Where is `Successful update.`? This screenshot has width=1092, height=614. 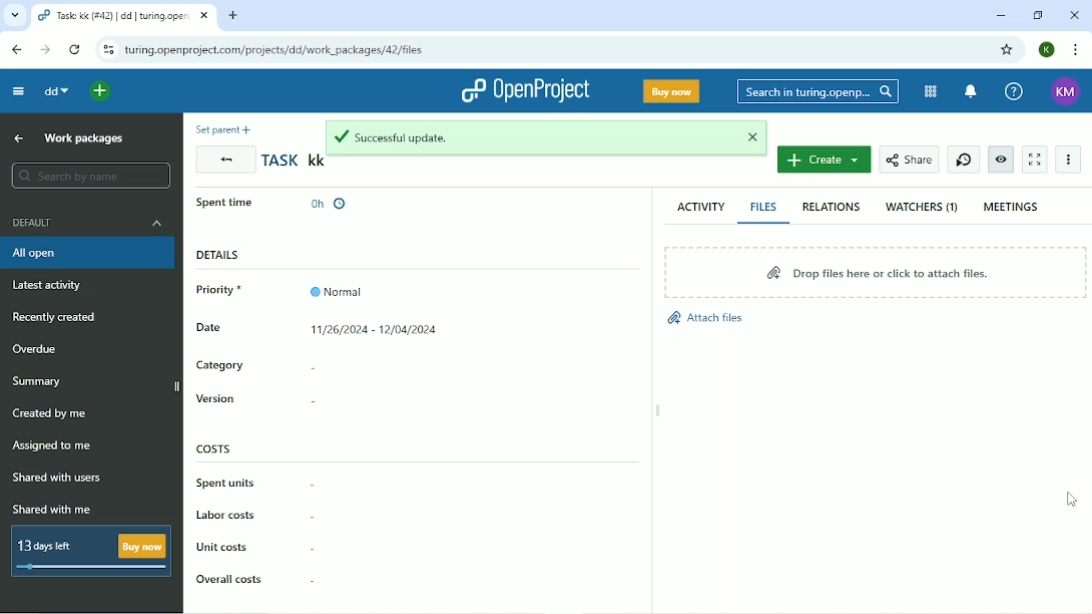
Successful update. is located at coordinates (519, 136).